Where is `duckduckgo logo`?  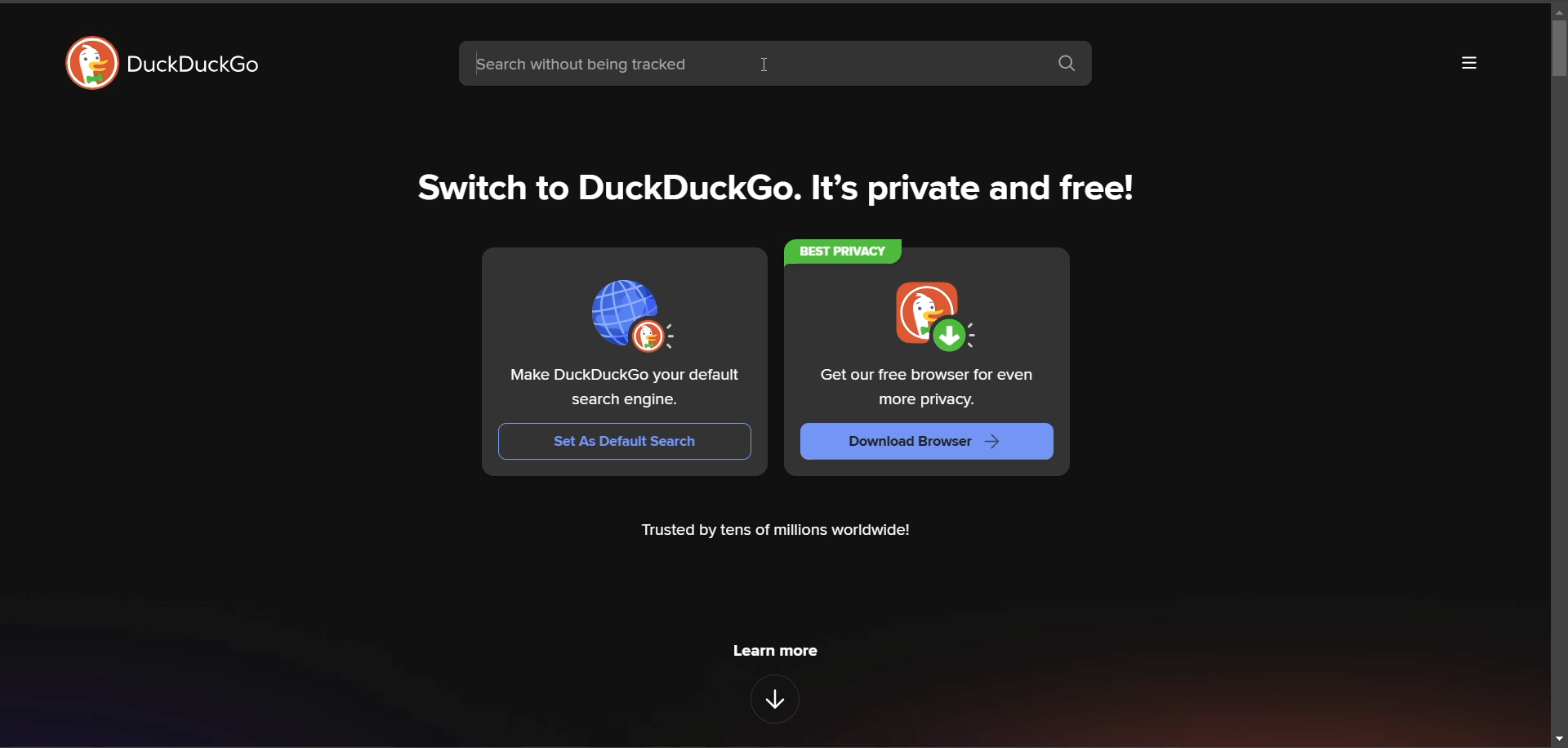
duckduckgo logo is located at coordinates (80, 63).